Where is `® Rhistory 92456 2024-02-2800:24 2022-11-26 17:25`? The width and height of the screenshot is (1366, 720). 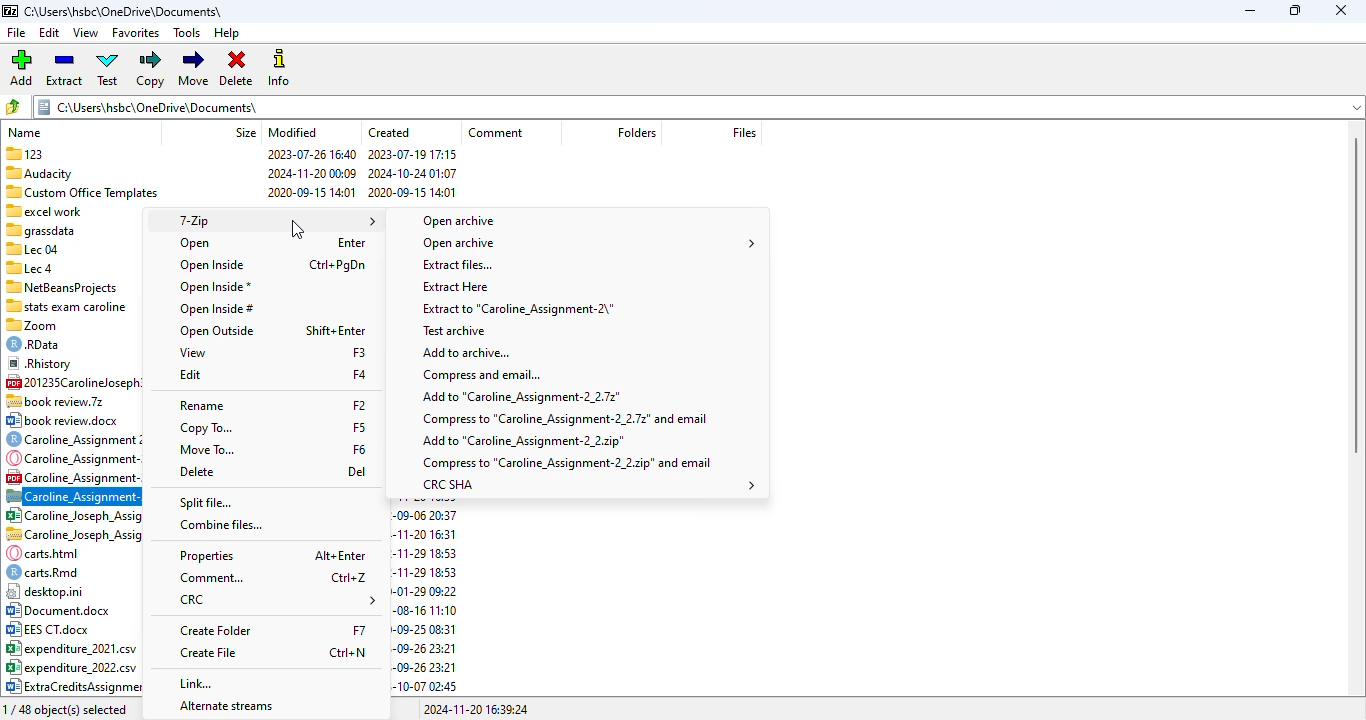
® Rhistory 92456 2024-02-2800:24 2022-11-26 17:25 is located at coordinates (71, 362).